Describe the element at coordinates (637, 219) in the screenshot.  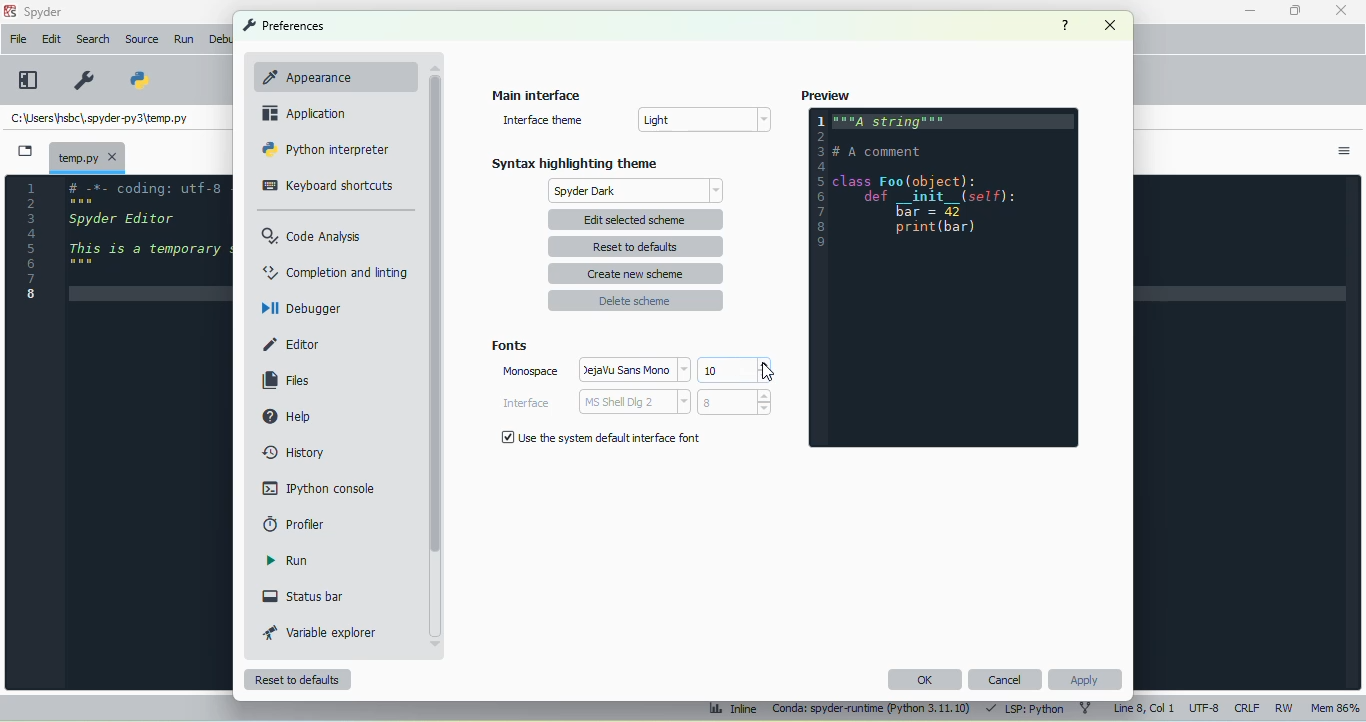
I see `edit selected scheme` at that location.